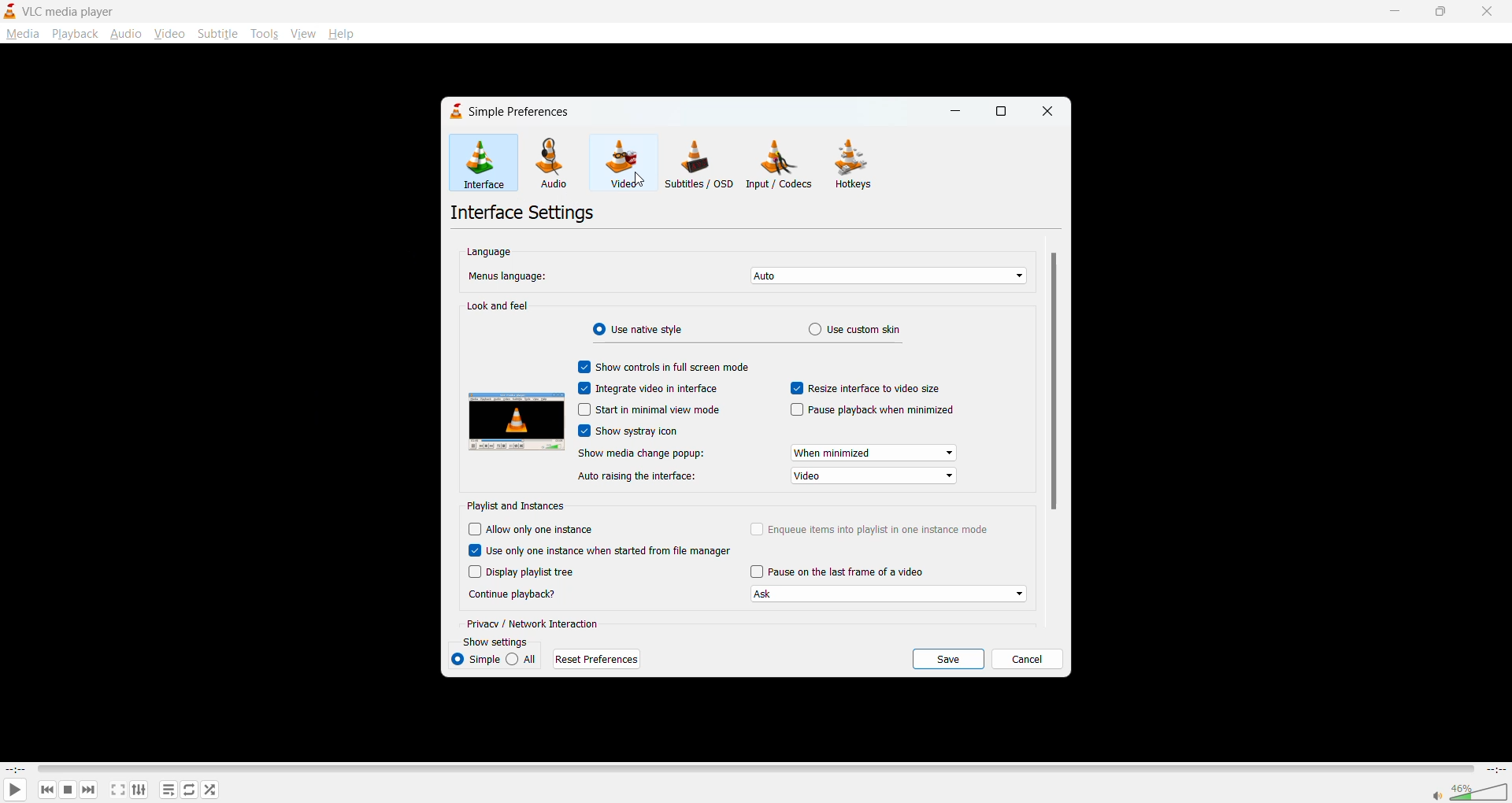 The width and height of the screenshot is (1512, 803). I want to click on interface settings, so click(525, 211).